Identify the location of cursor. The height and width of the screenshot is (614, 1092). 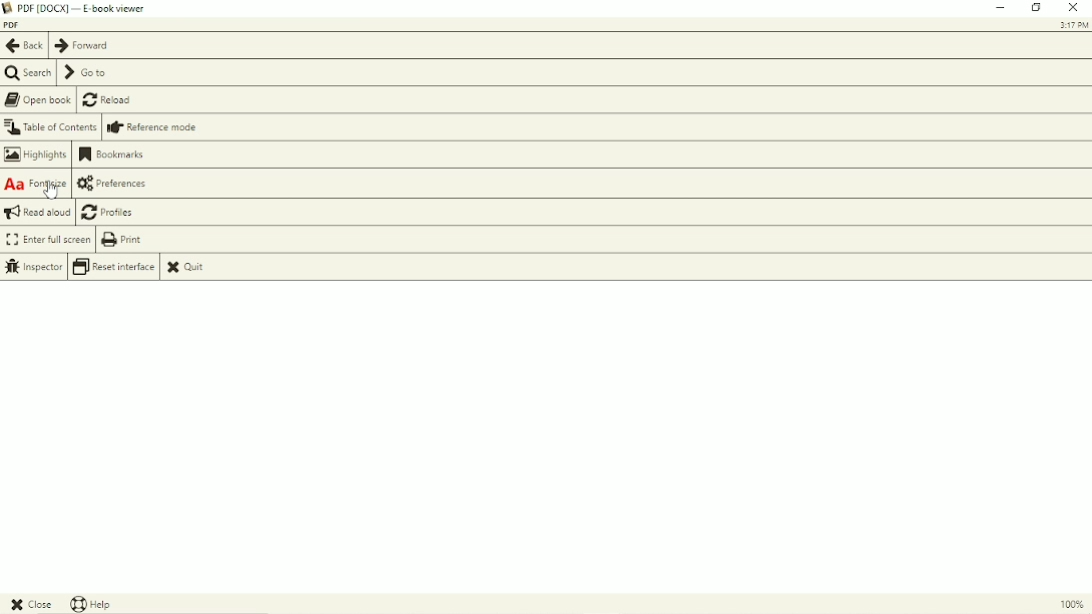
(53, 192).